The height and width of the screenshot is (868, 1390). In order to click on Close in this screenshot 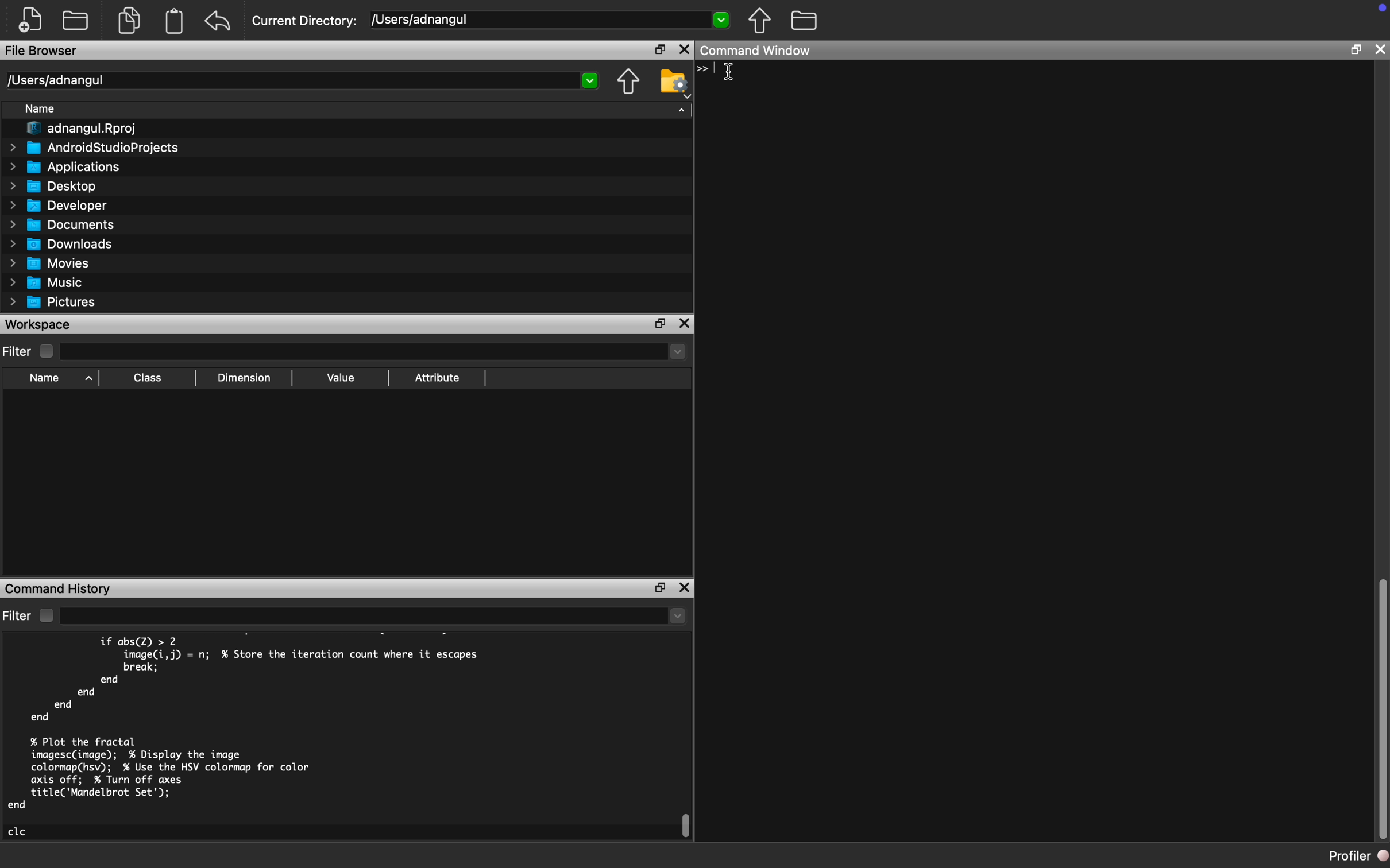, I will do `click(686, 323)`.